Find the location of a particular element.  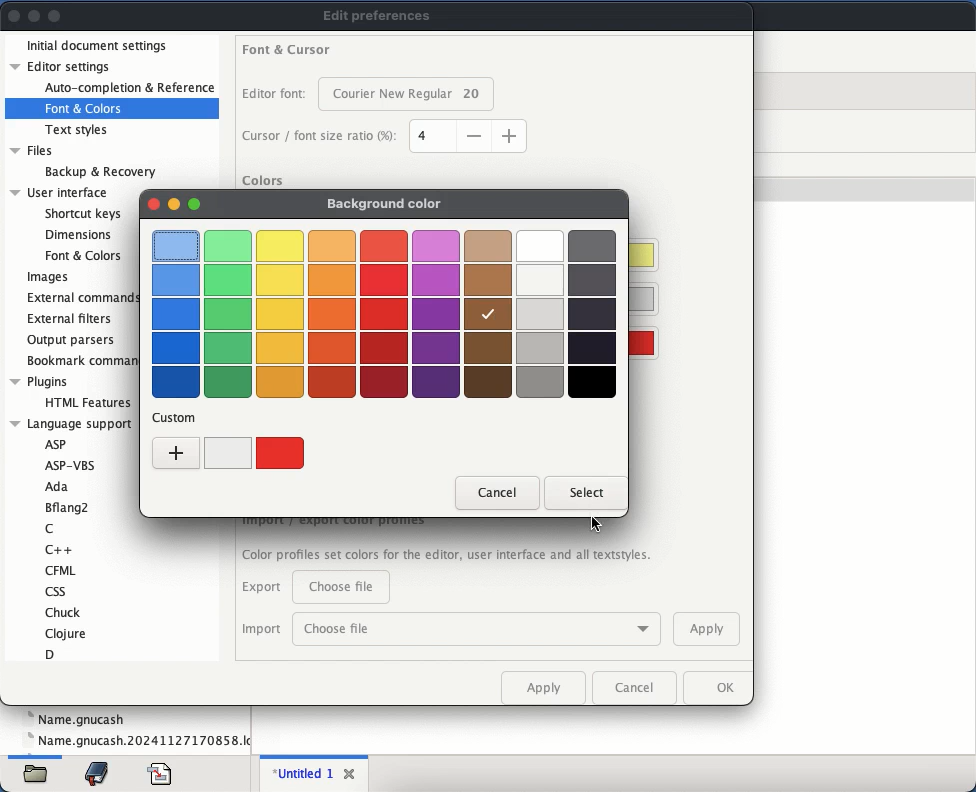

C++ is located at coordinates (54, 549).